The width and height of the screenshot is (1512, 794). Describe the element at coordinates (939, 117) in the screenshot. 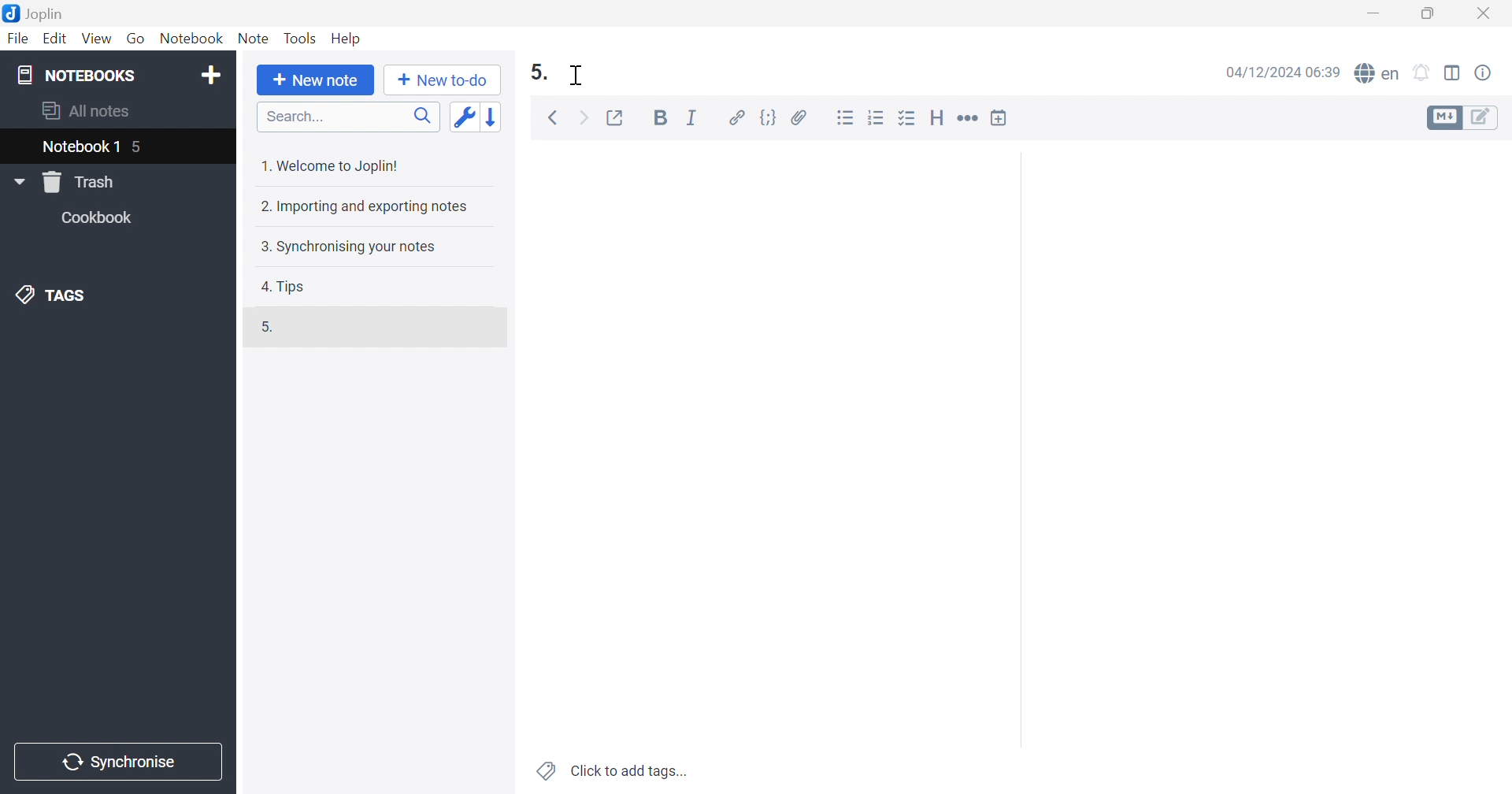

I see `Heading` at that location.